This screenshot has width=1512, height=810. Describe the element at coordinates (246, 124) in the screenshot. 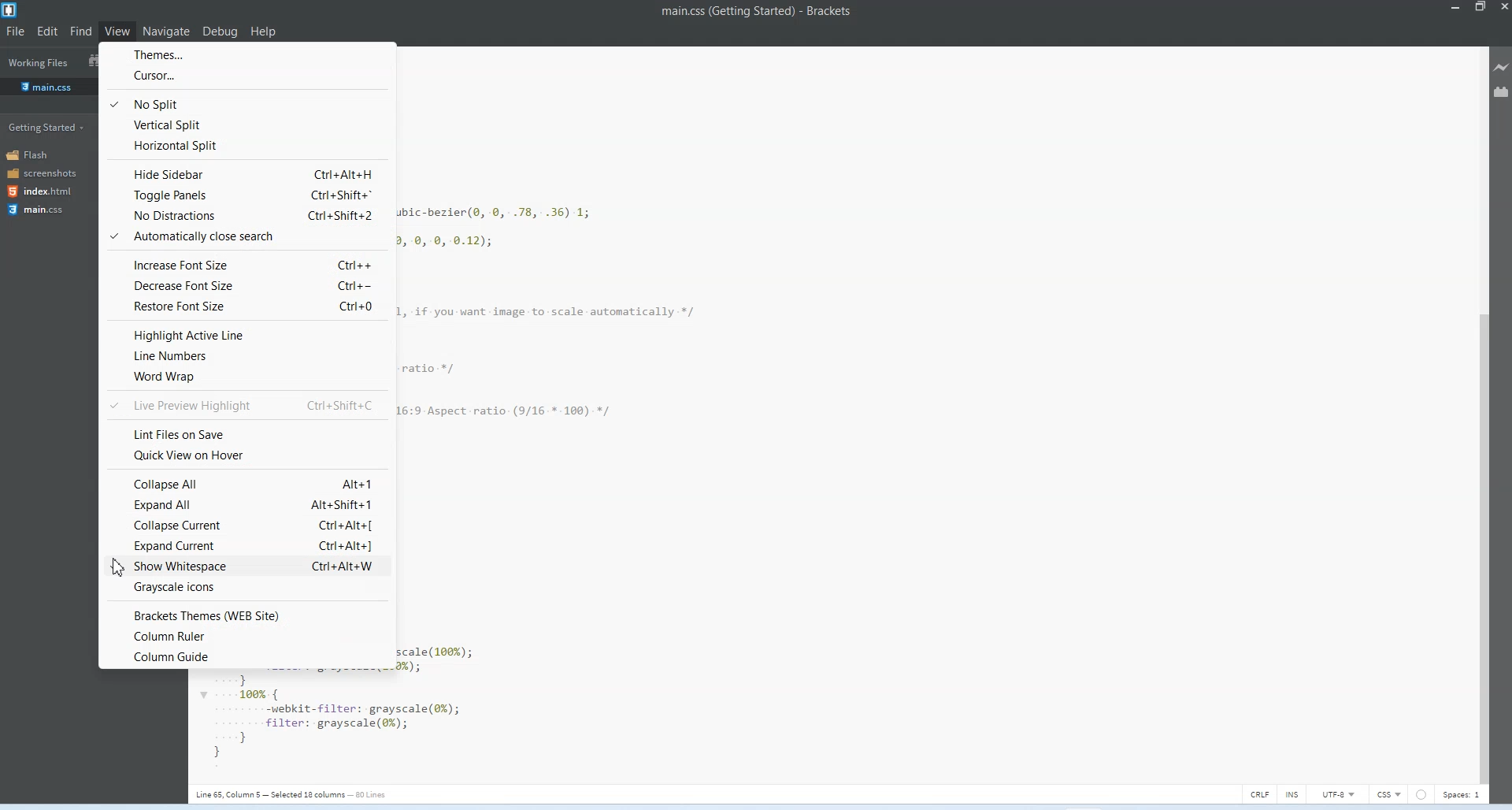

I see `Vertical split` at that location.